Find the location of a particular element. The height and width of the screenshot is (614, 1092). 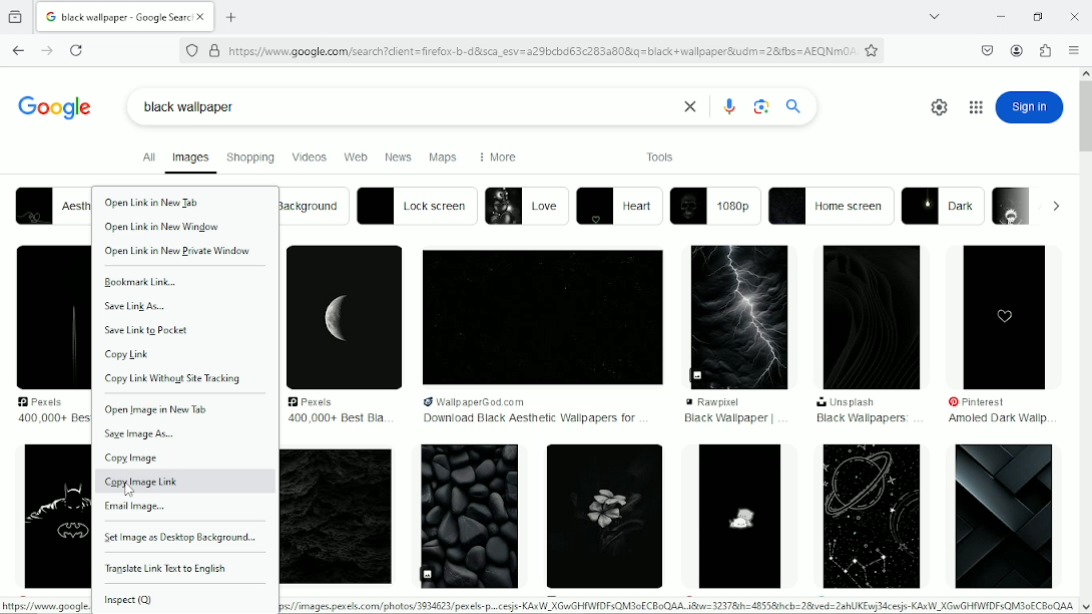

black image is located at coordinates (542, 317).